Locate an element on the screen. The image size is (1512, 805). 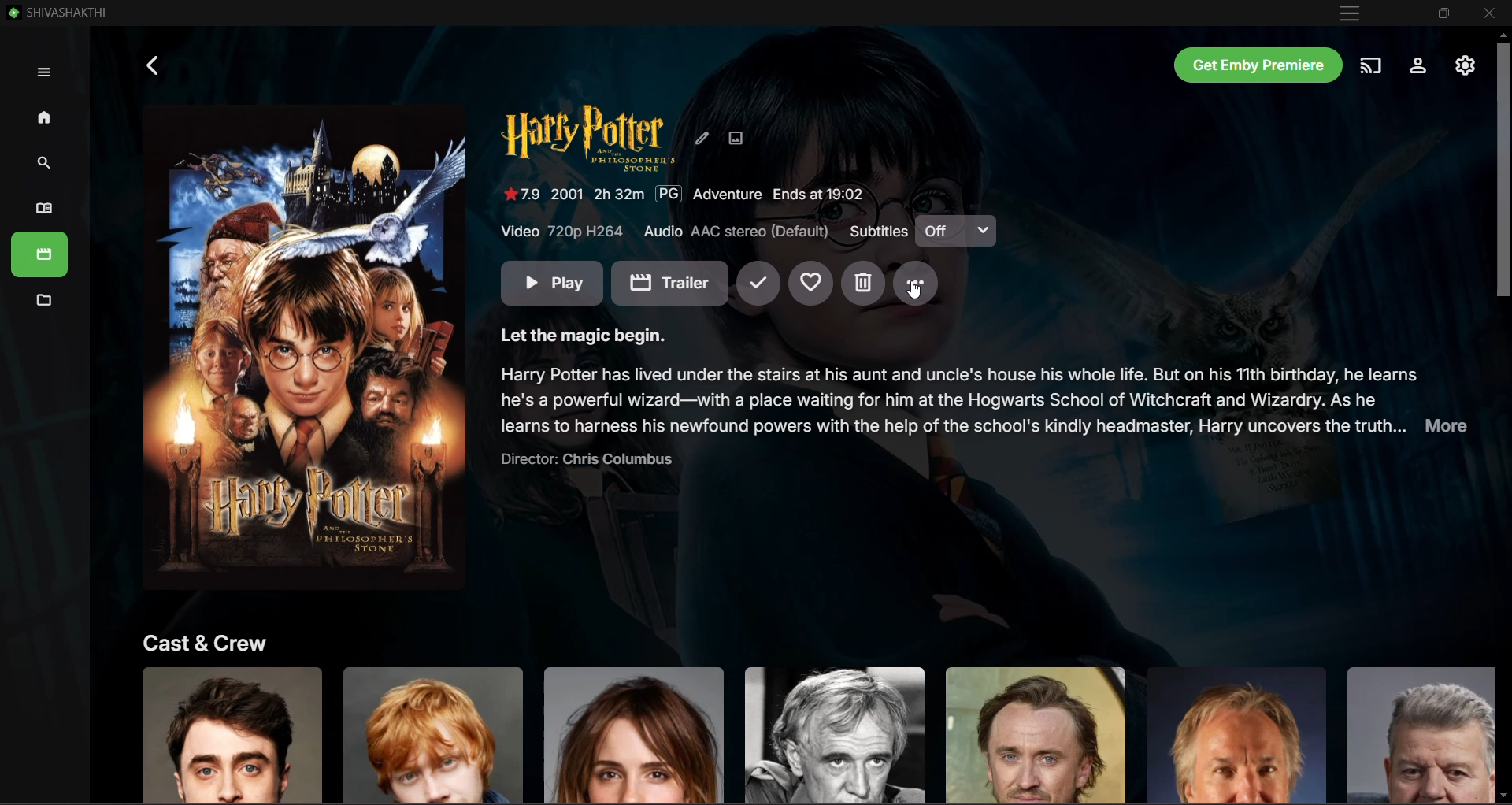
Books is located at coordinates (39, 210).